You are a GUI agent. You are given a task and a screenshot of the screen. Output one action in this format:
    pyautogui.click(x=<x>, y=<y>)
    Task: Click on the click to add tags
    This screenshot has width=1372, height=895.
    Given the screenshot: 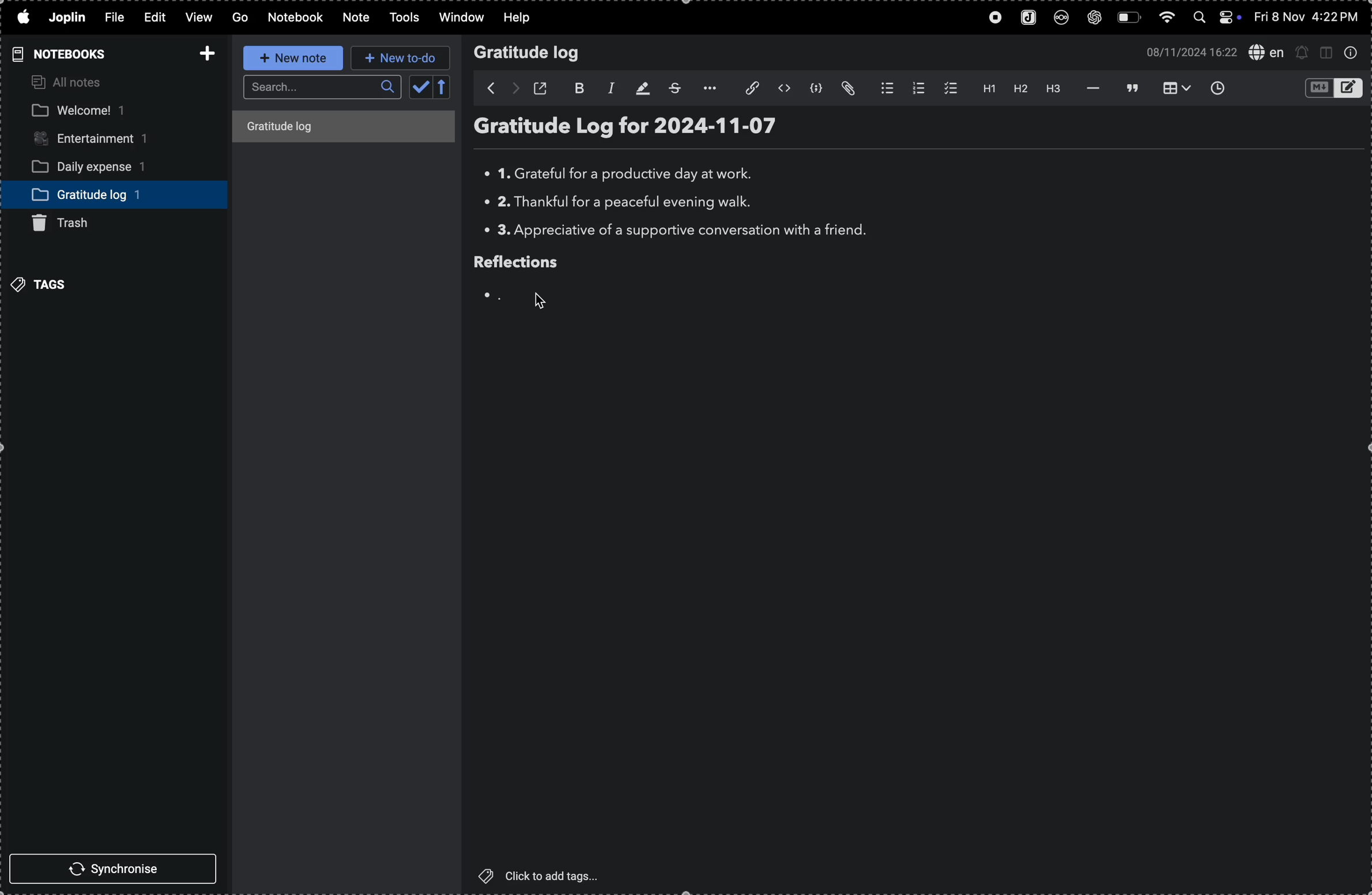 What is the action you would take?
    pyautogui.click(x=544, y=876)
    